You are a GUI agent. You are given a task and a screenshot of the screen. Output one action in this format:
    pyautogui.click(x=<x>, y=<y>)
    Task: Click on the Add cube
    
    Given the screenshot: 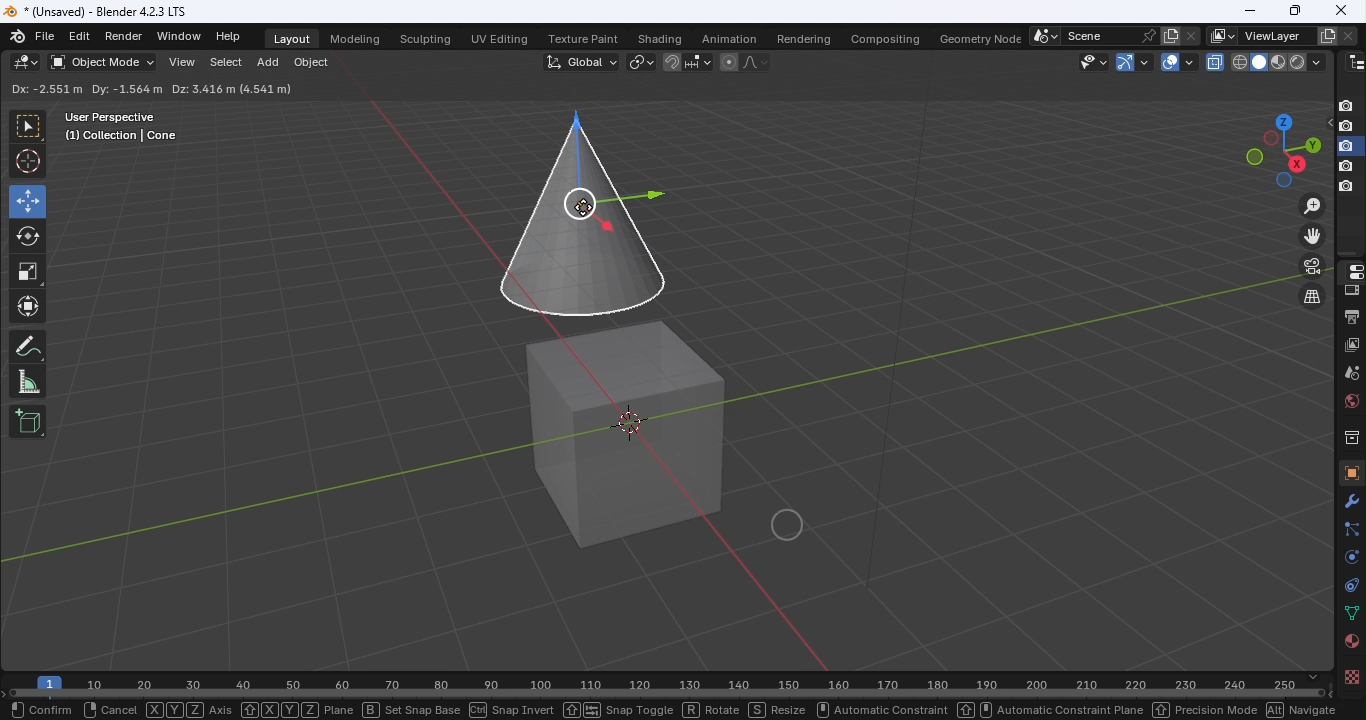 What is the action you would take?
    pyautogui.click(x=28, y=420)
    